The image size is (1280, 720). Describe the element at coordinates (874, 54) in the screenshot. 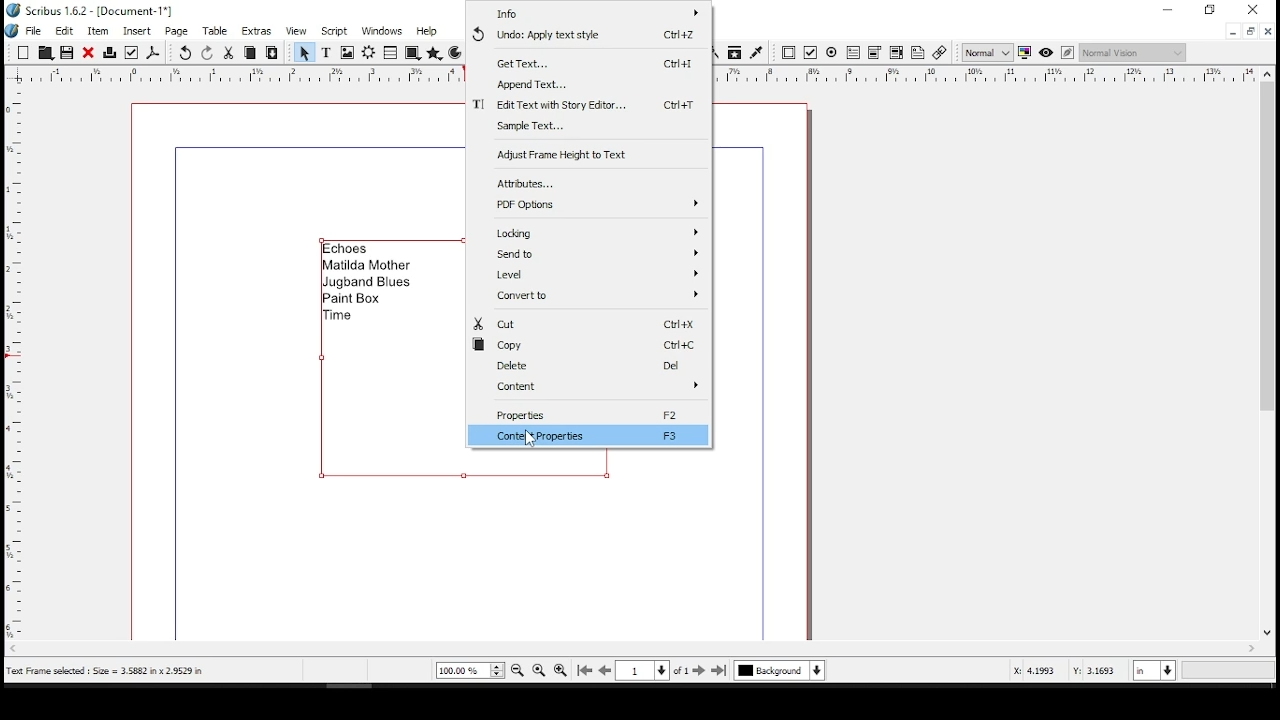

I see `pdf combo box` at that location.